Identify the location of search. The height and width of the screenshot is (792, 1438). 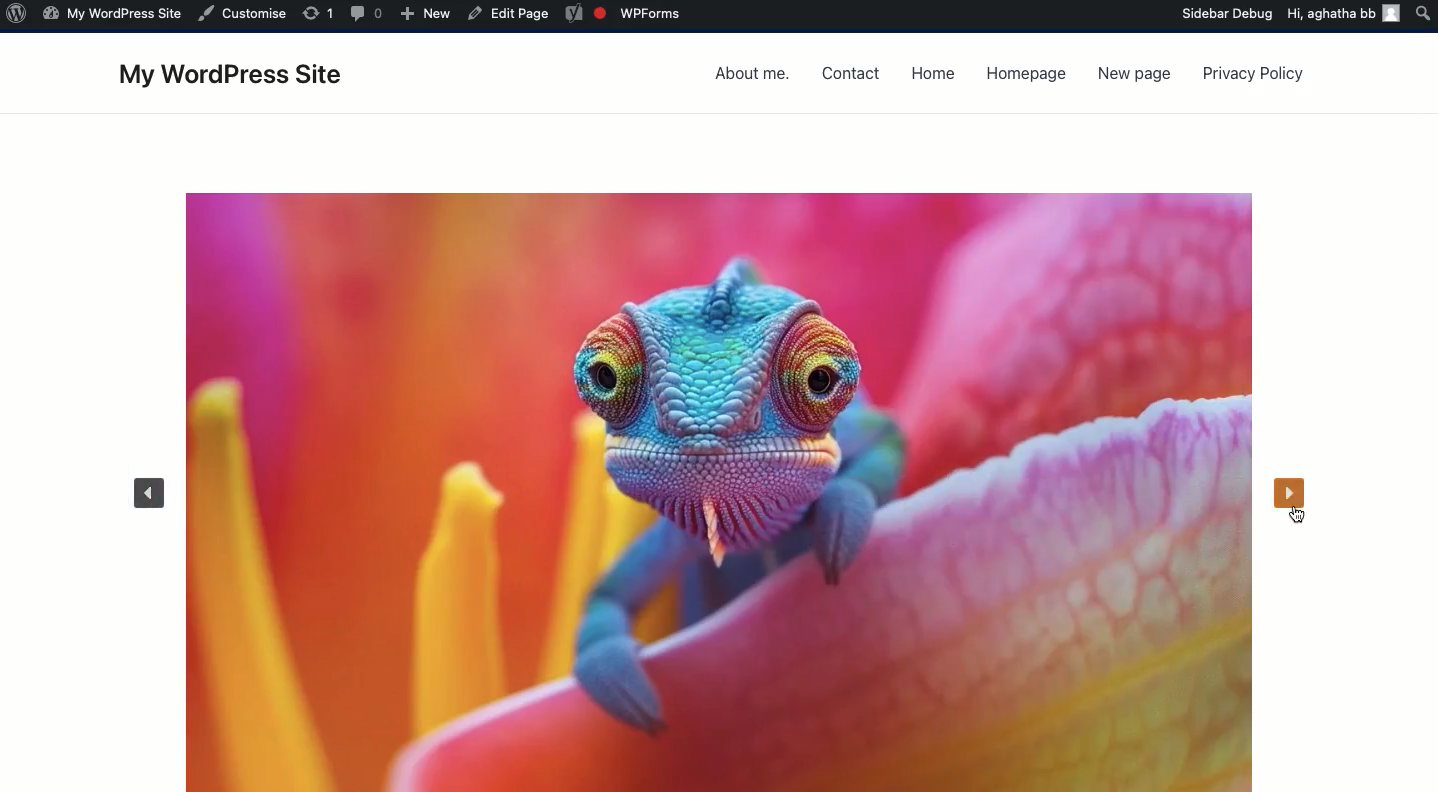
(1423, 14).